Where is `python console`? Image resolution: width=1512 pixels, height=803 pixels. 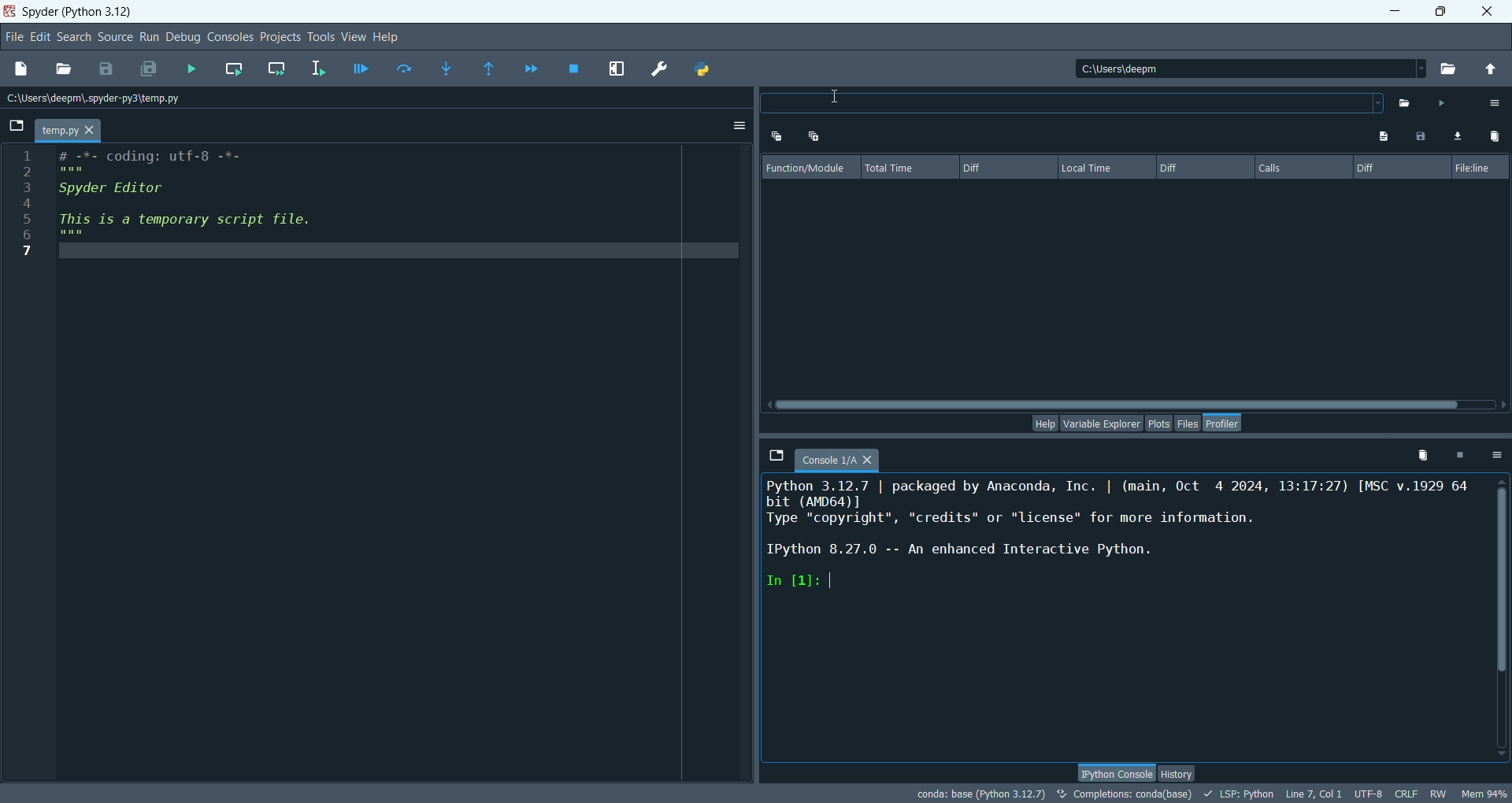
python console is located at coordinates (1114, 771).